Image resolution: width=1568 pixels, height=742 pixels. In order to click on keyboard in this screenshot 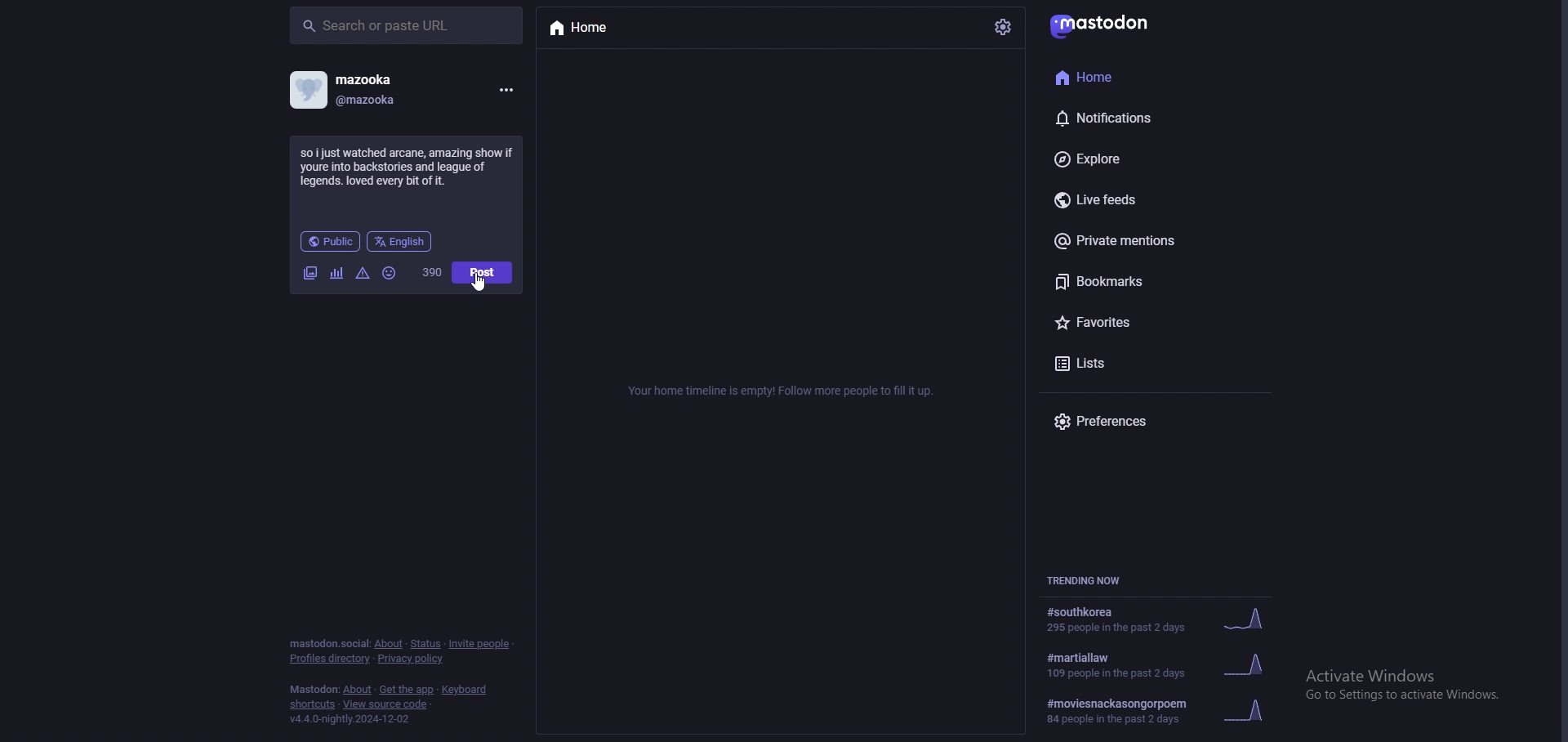, I will do `click(463, 689)`.